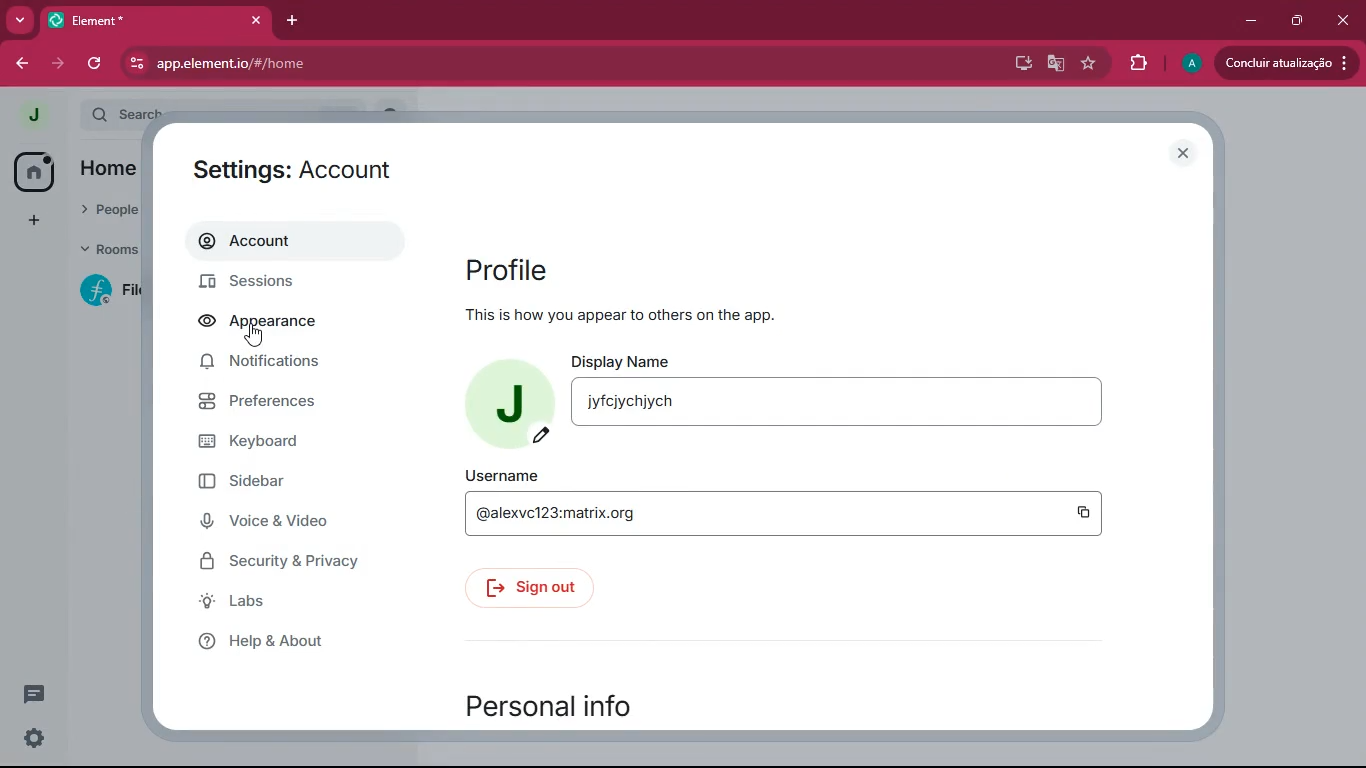 This screenshot has height=768, width=1366. Describe the element at coordinates (33, 737) in the screenshot. I see `settings` at that location.